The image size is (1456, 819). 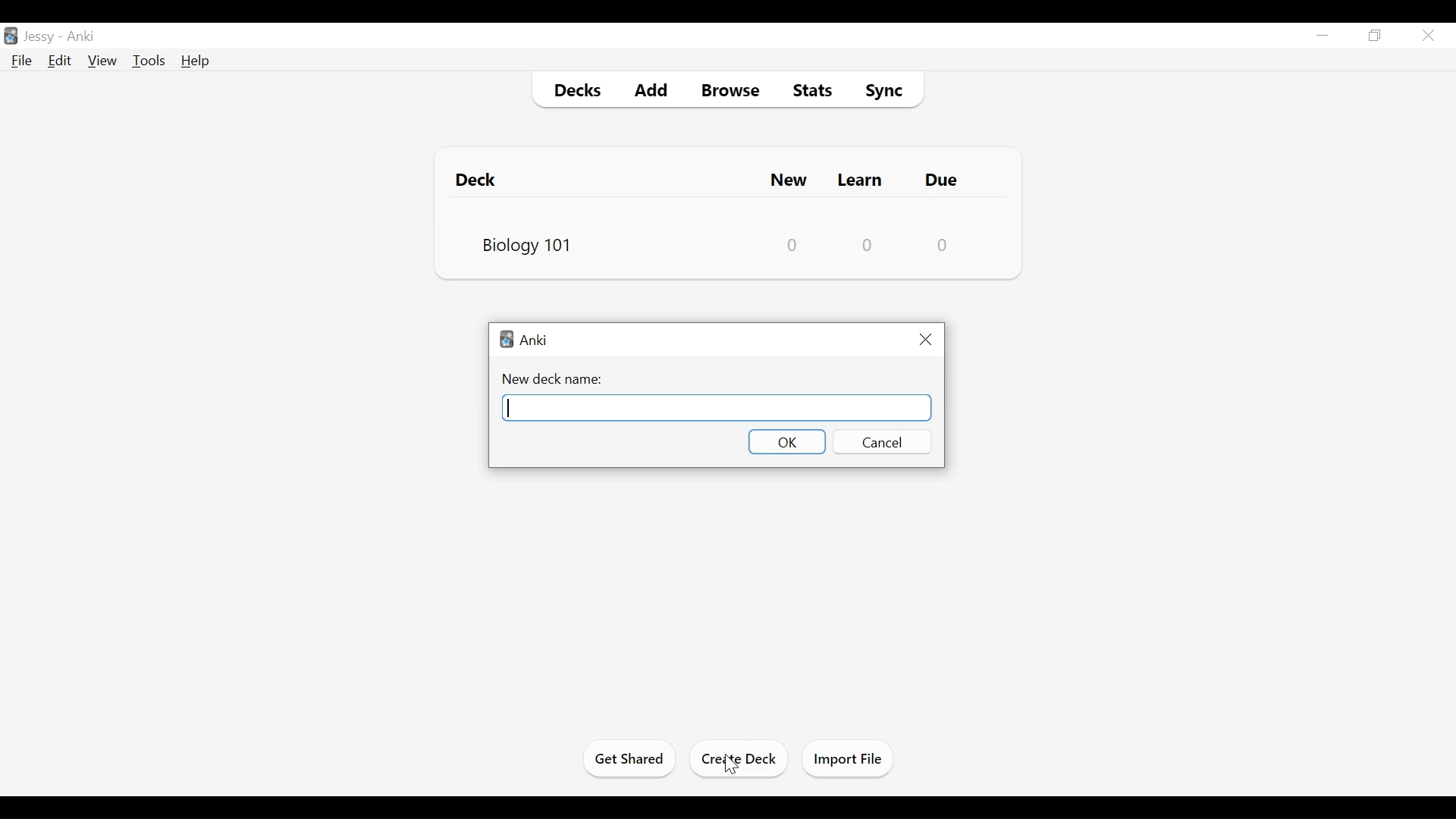 What do you see at coordinates (551, 379) in the screenshot?
I see `New Deck Name` at bounding box center [551, 379].